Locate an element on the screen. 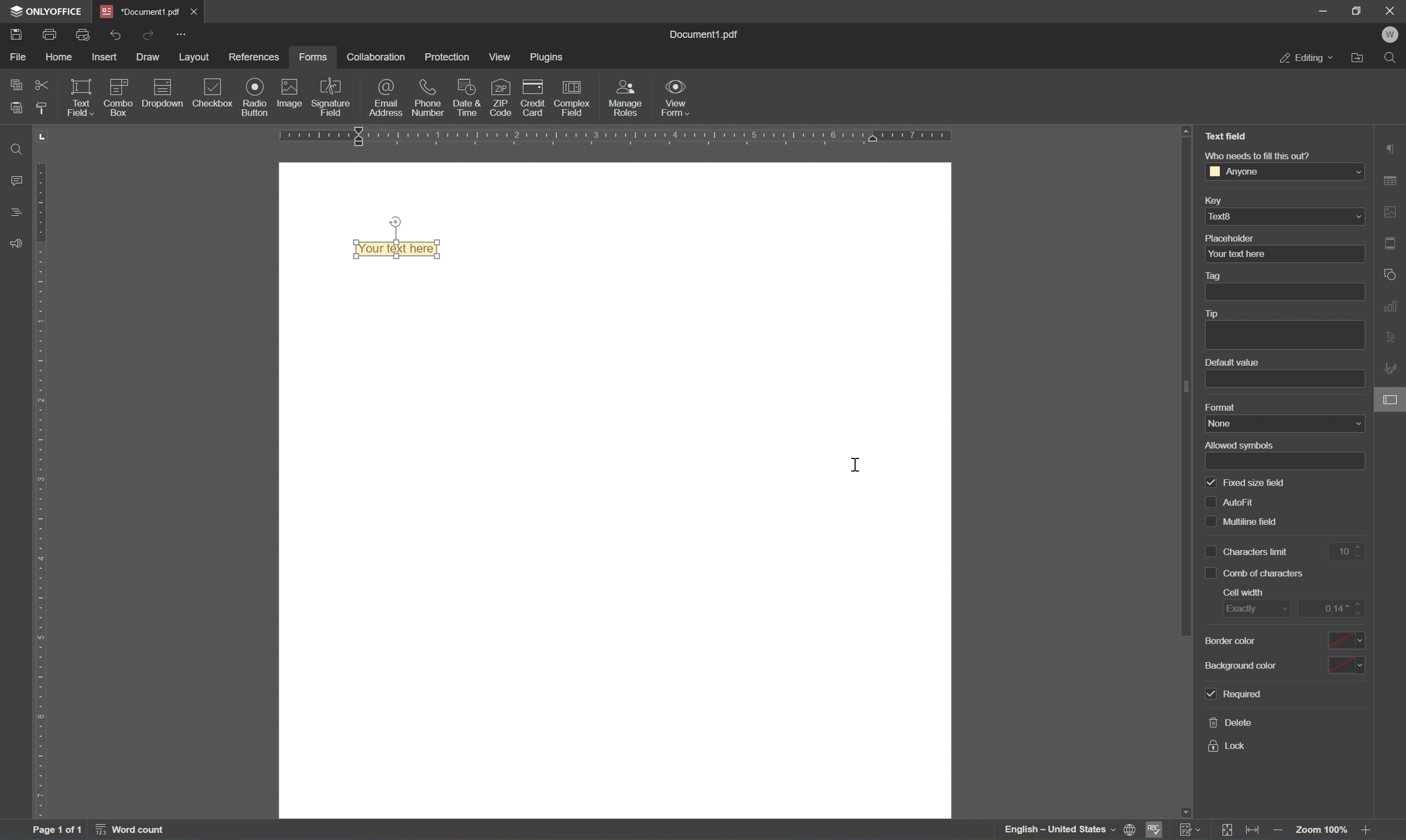  your text here is located at coordinates (1237, 254).